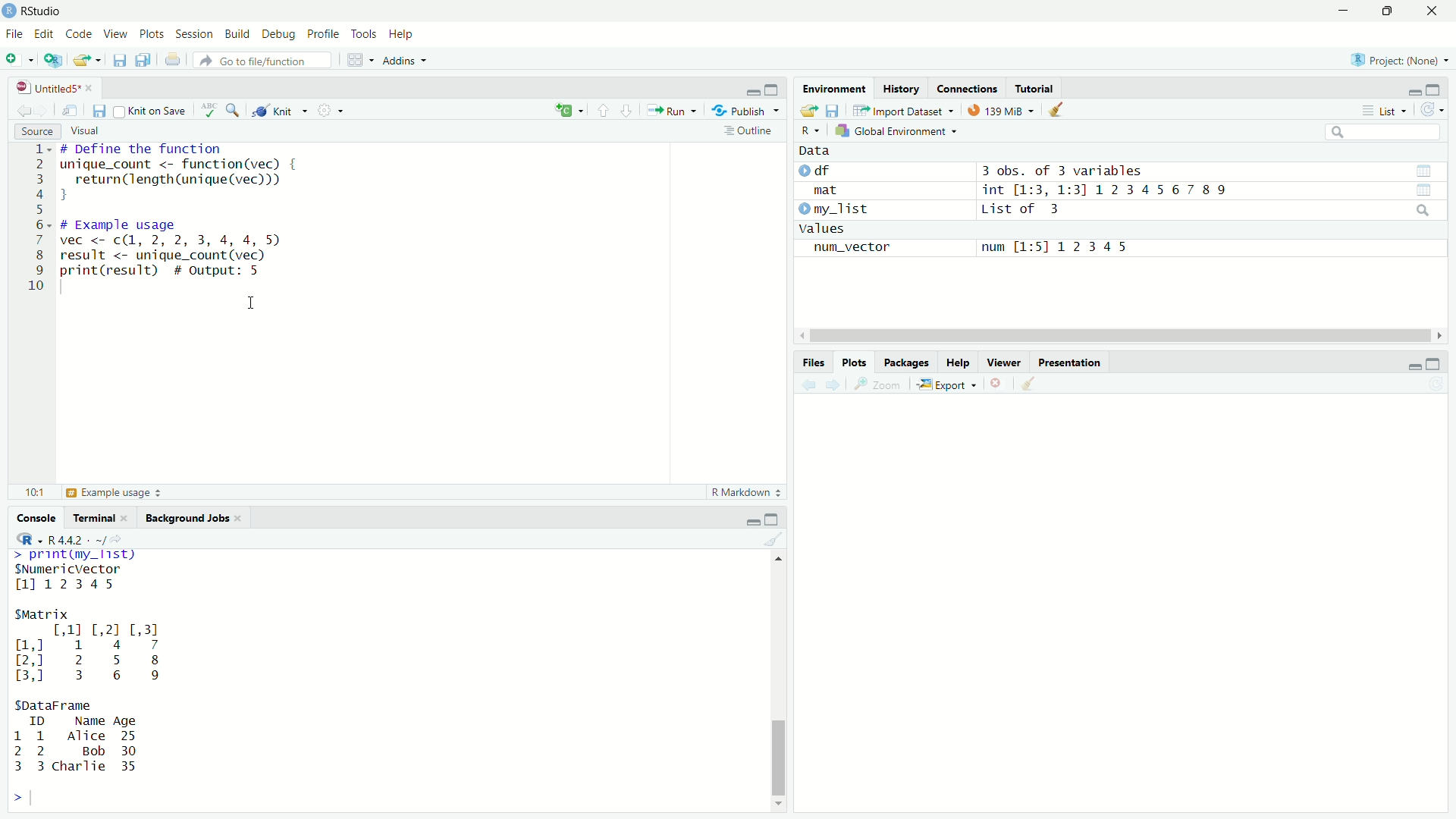 Image resolution: width=1456 pixels, height=819 pixels. Describe the element at coordinates (1037, 90) in the screenshot. I see `tutorial` at that location.